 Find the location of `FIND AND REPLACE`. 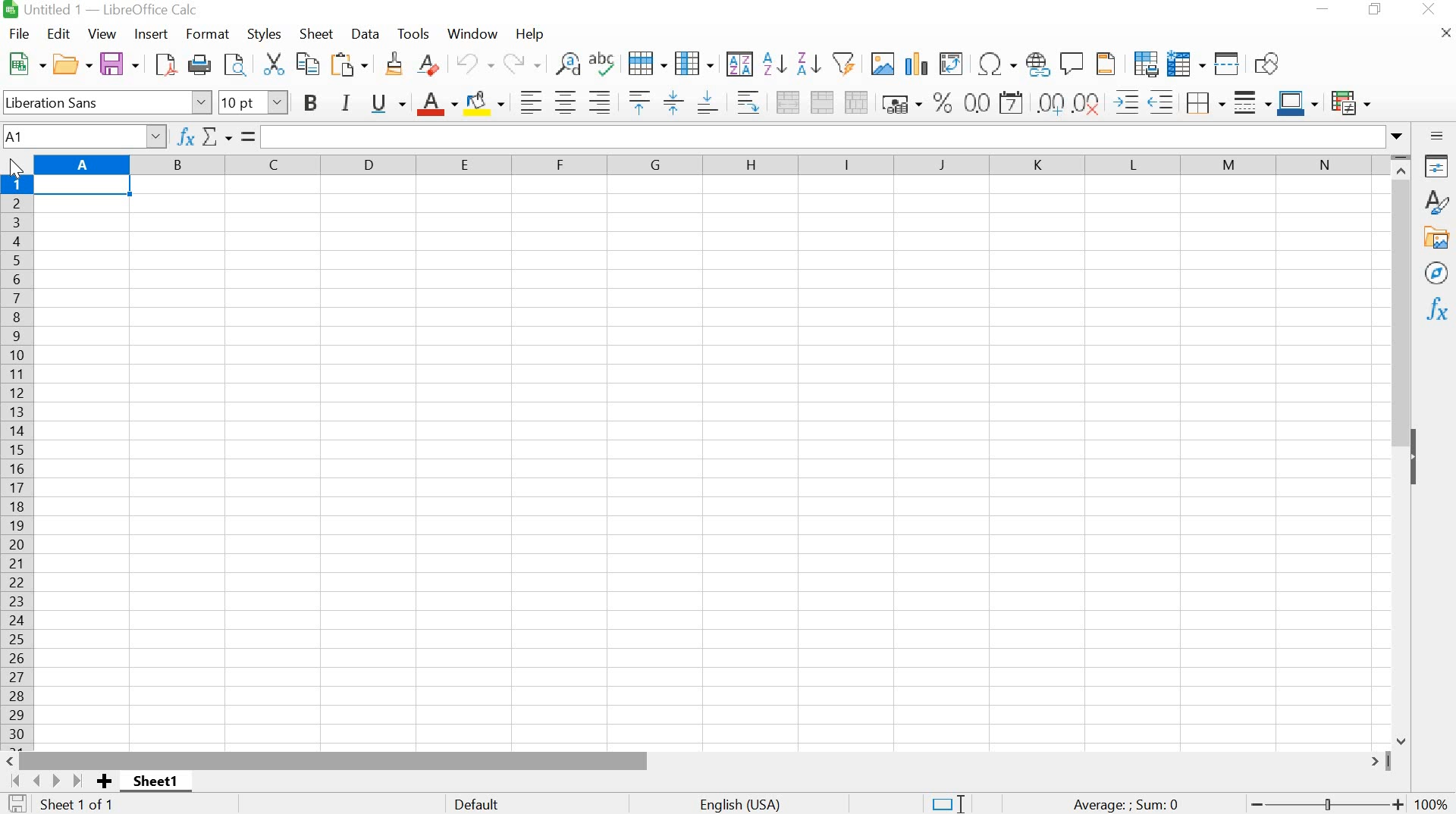

FIND AND REPLACE is located at coordinates (235, 65).